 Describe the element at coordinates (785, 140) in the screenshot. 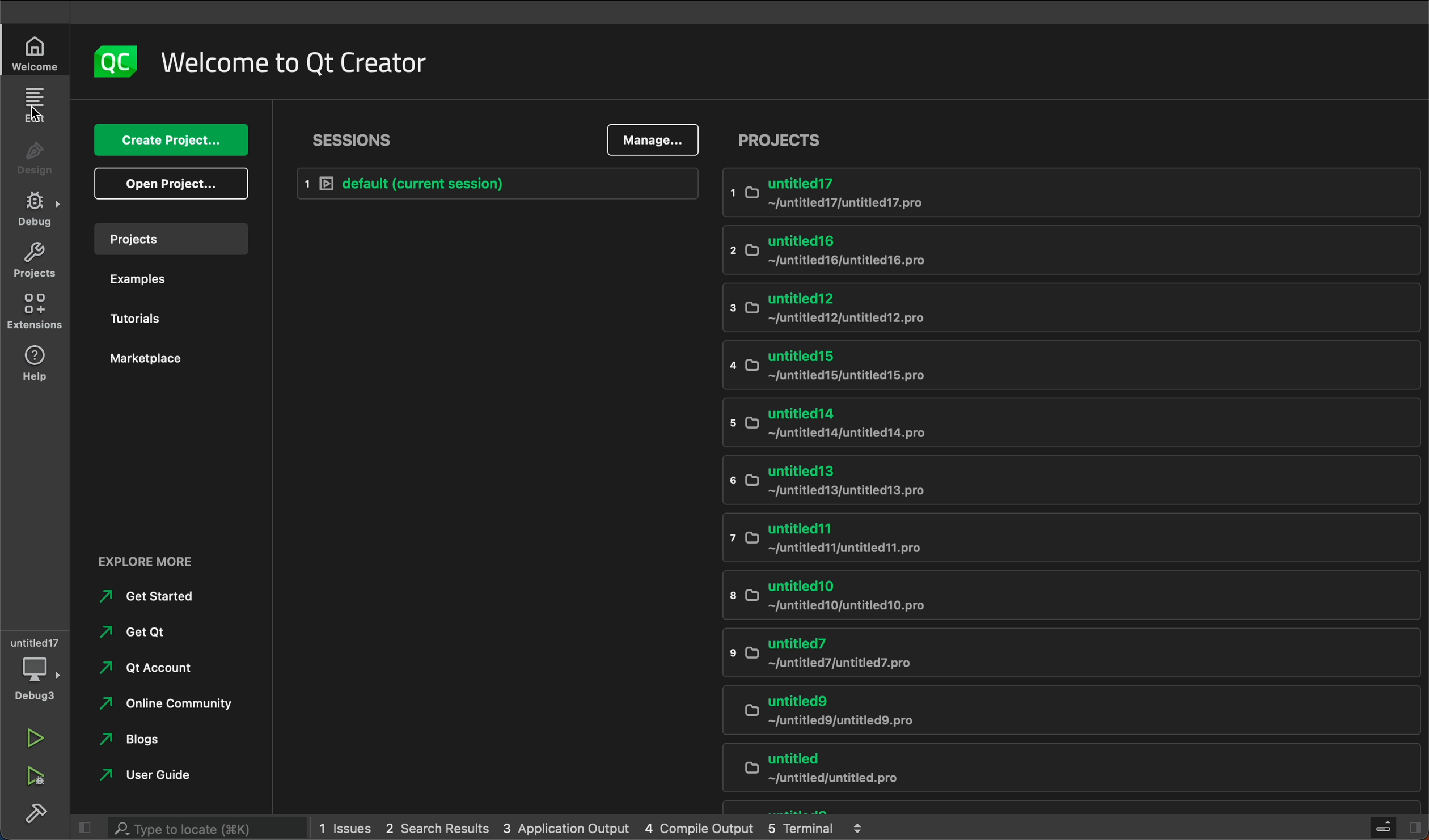

I see `projects` at that location.